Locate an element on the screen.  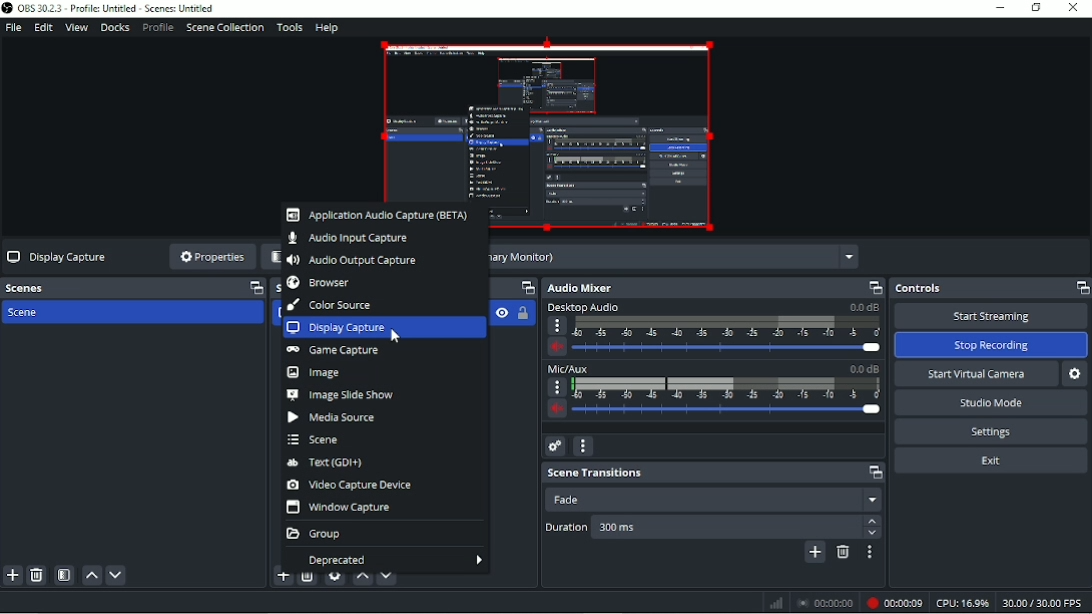
Video capture device is located at coordinates (350, 485).